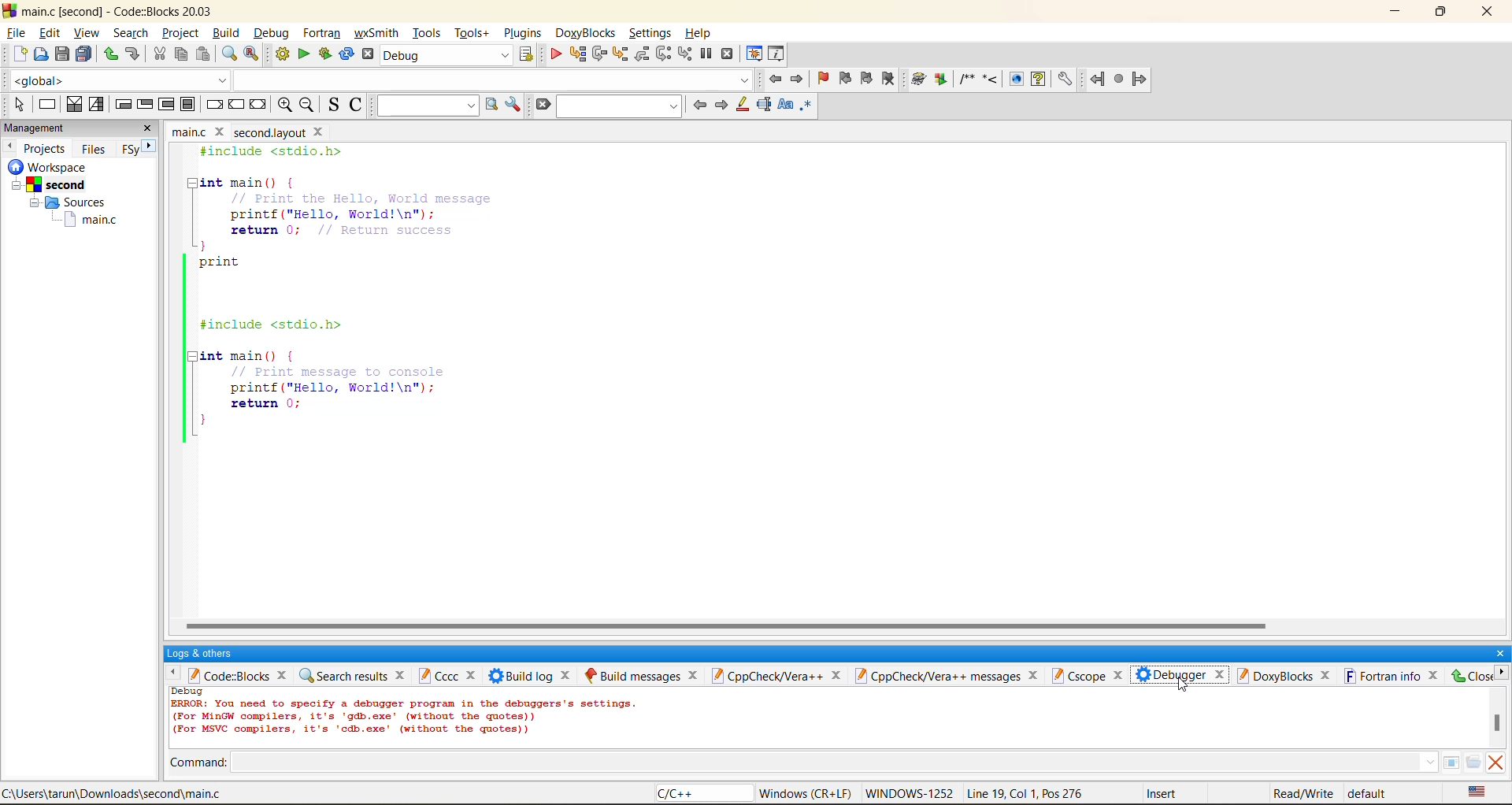 Image resolution: width=1512 pixels, height=805 pixels. Describe the element at coordinates (146, 103) in the screenshot. I see `exit condition loop` at that location.